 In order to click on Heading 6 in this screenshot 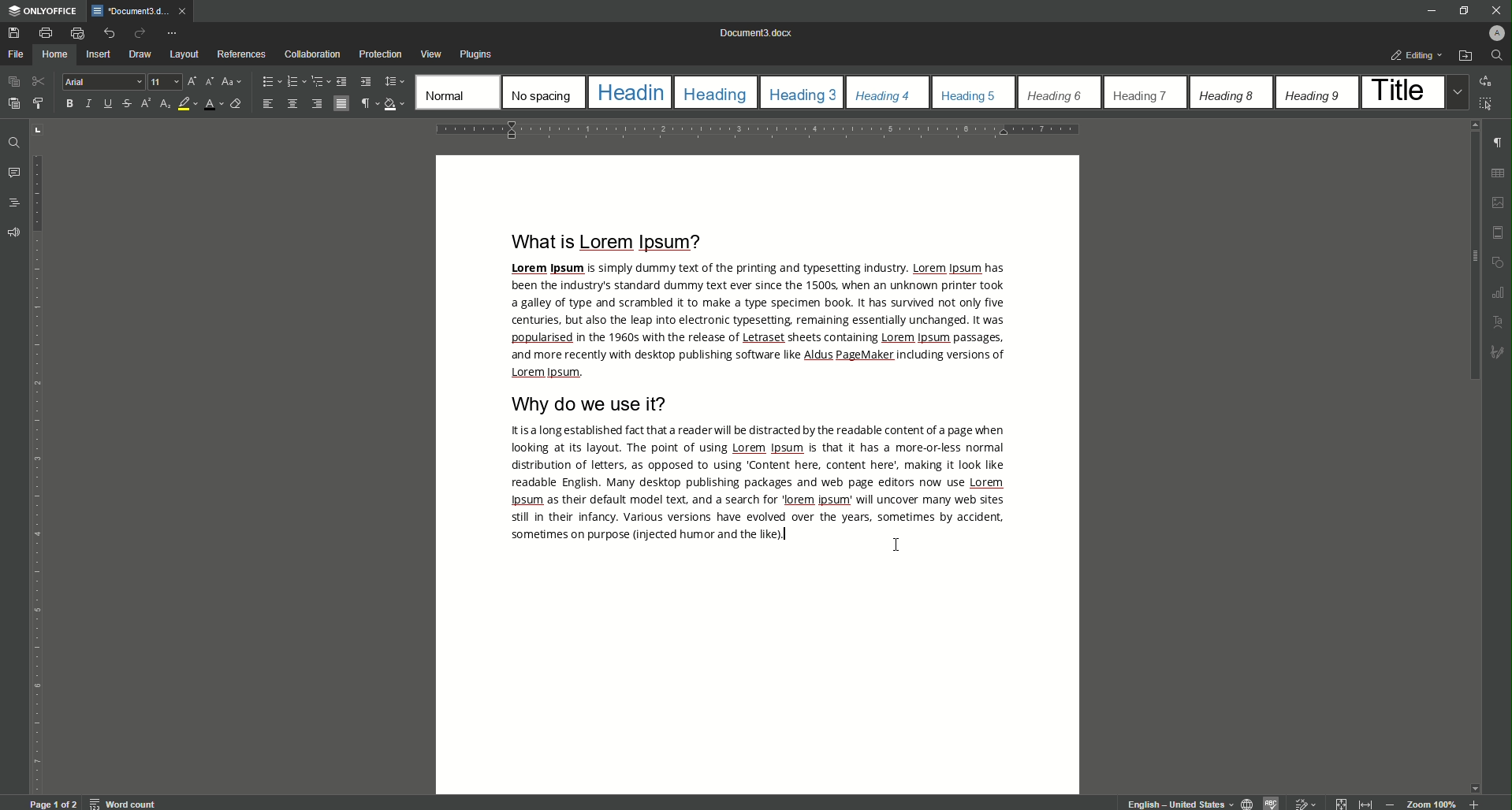, I will do `click(1055, 95)`.